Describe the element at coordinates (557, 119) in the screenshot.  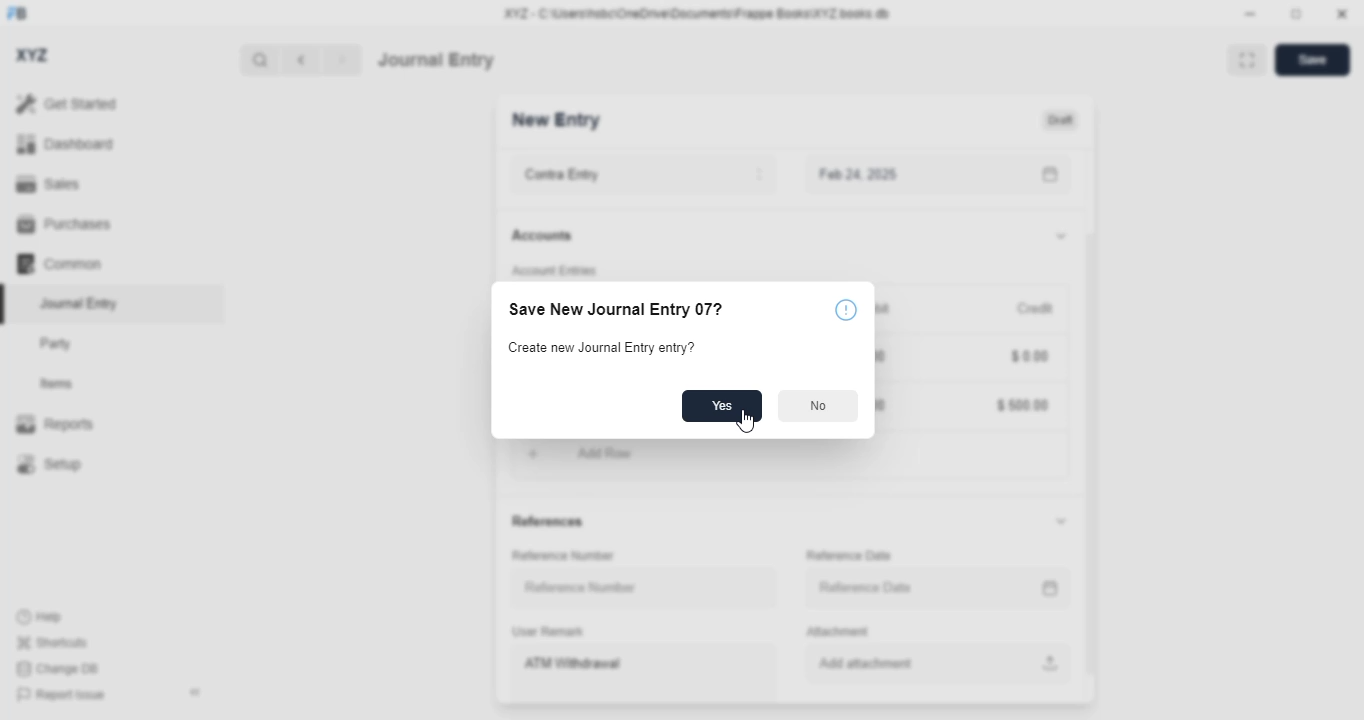
I see `new entry` at that location.